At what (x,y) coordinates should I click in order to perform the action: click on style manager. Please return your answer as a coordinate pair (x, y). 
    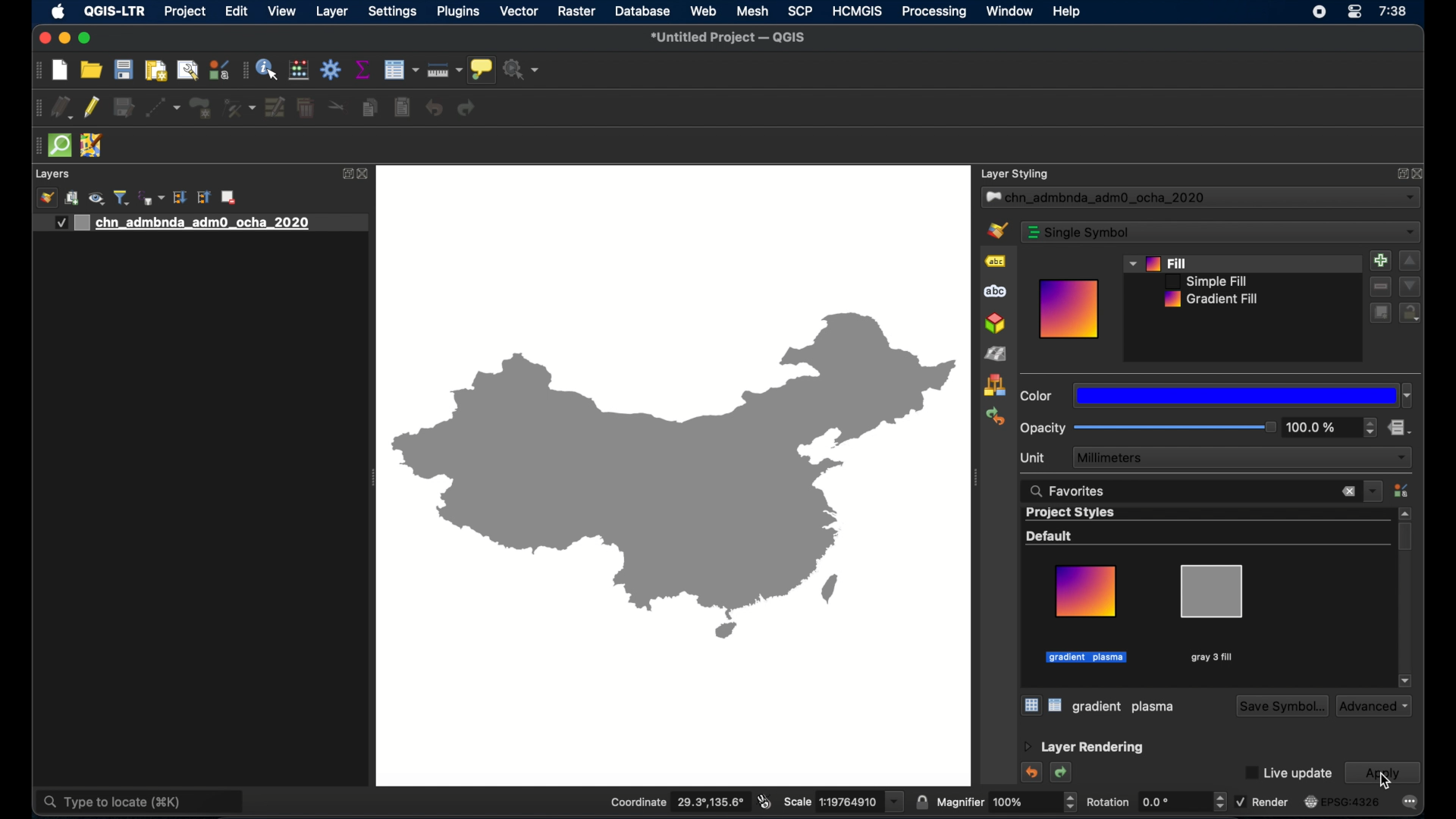
    Looking at the image, I should click on (1401, 490).